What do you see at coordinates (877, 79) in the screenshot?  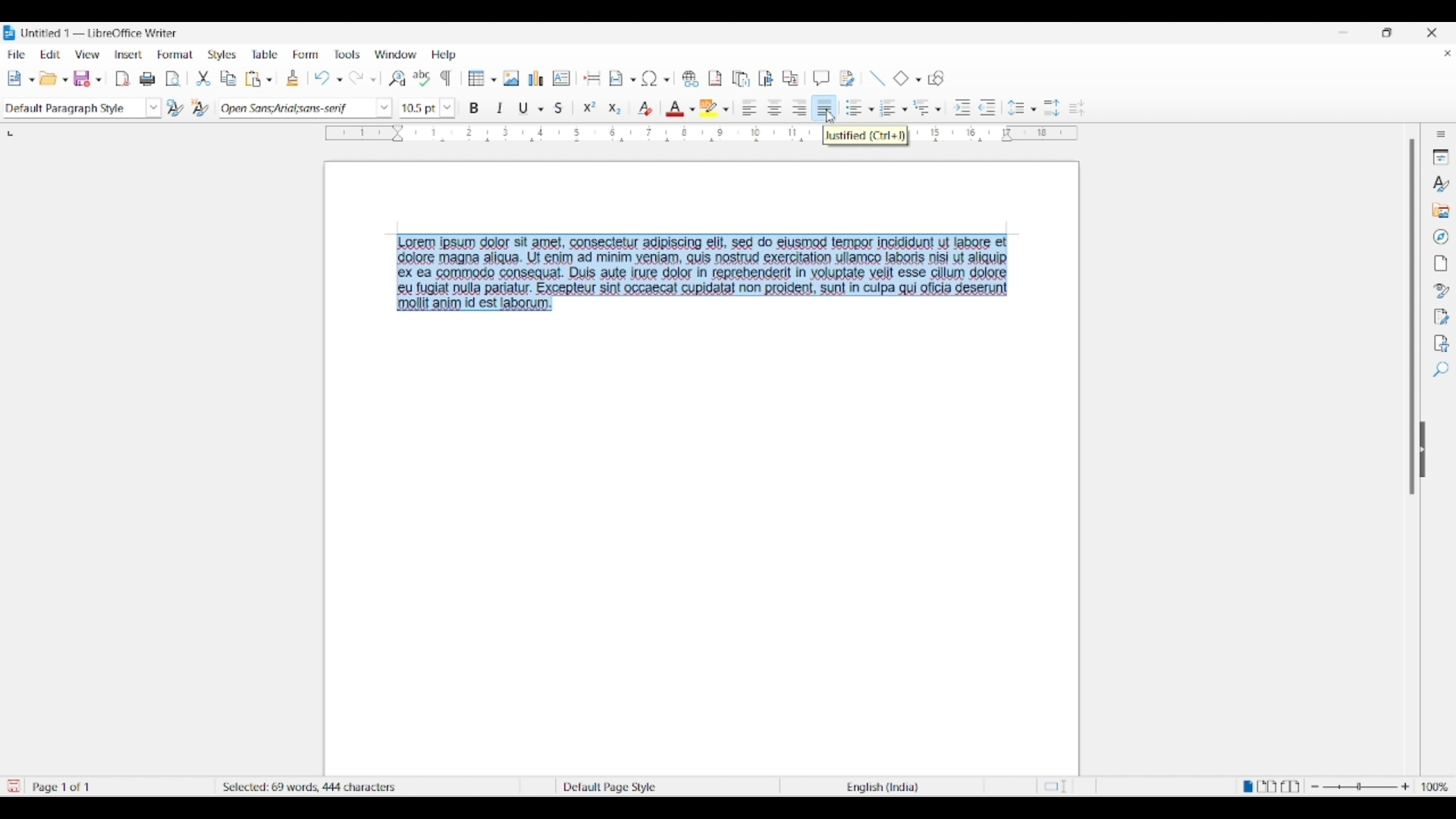 I see `Insert line` at bounding box center [877, 79].